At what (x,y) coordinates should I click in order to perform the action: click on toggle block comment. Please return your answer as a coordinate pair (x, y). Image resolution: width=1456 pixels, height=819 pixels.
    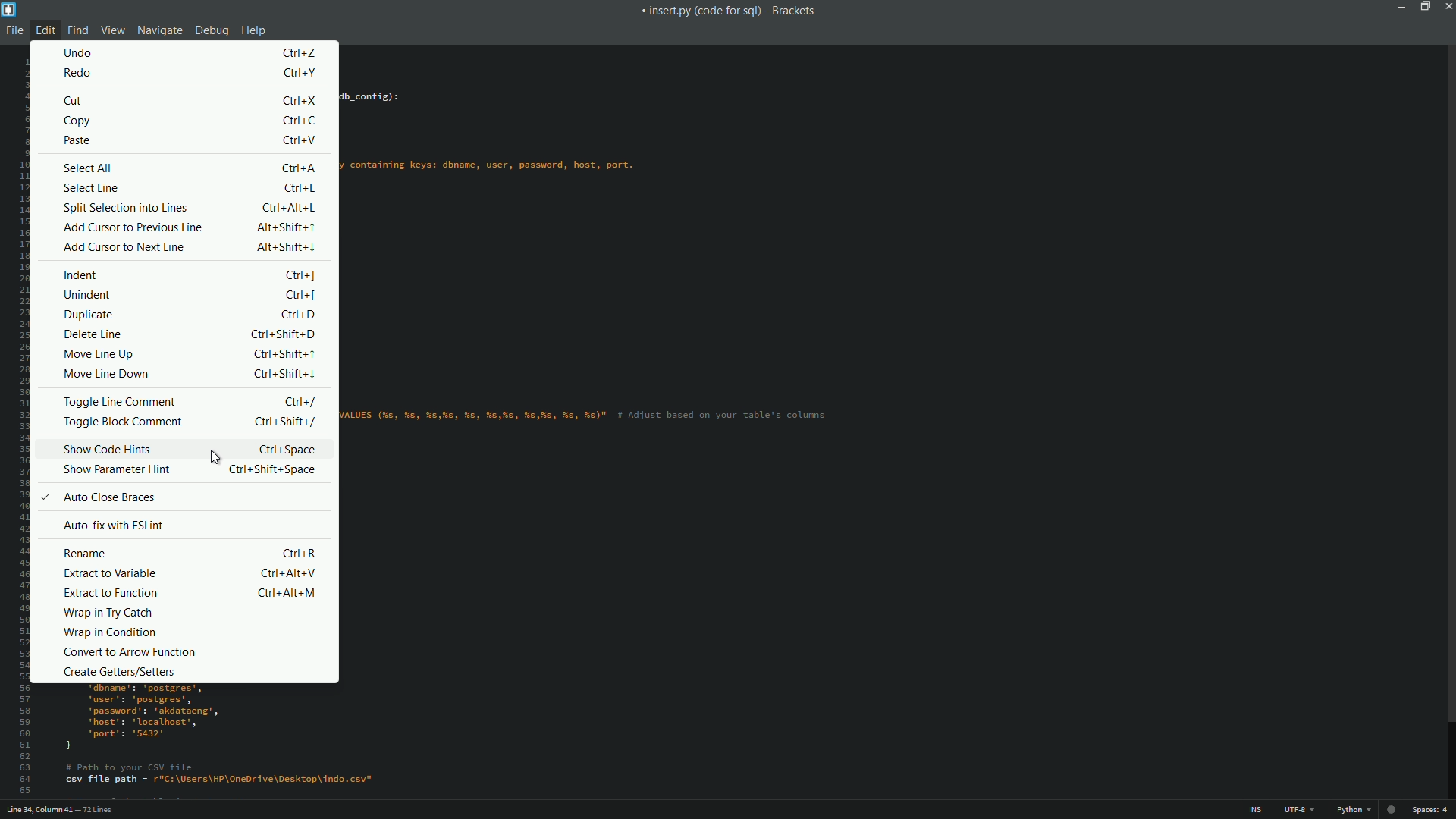
    Looking at the image, I should click on (122, 424).